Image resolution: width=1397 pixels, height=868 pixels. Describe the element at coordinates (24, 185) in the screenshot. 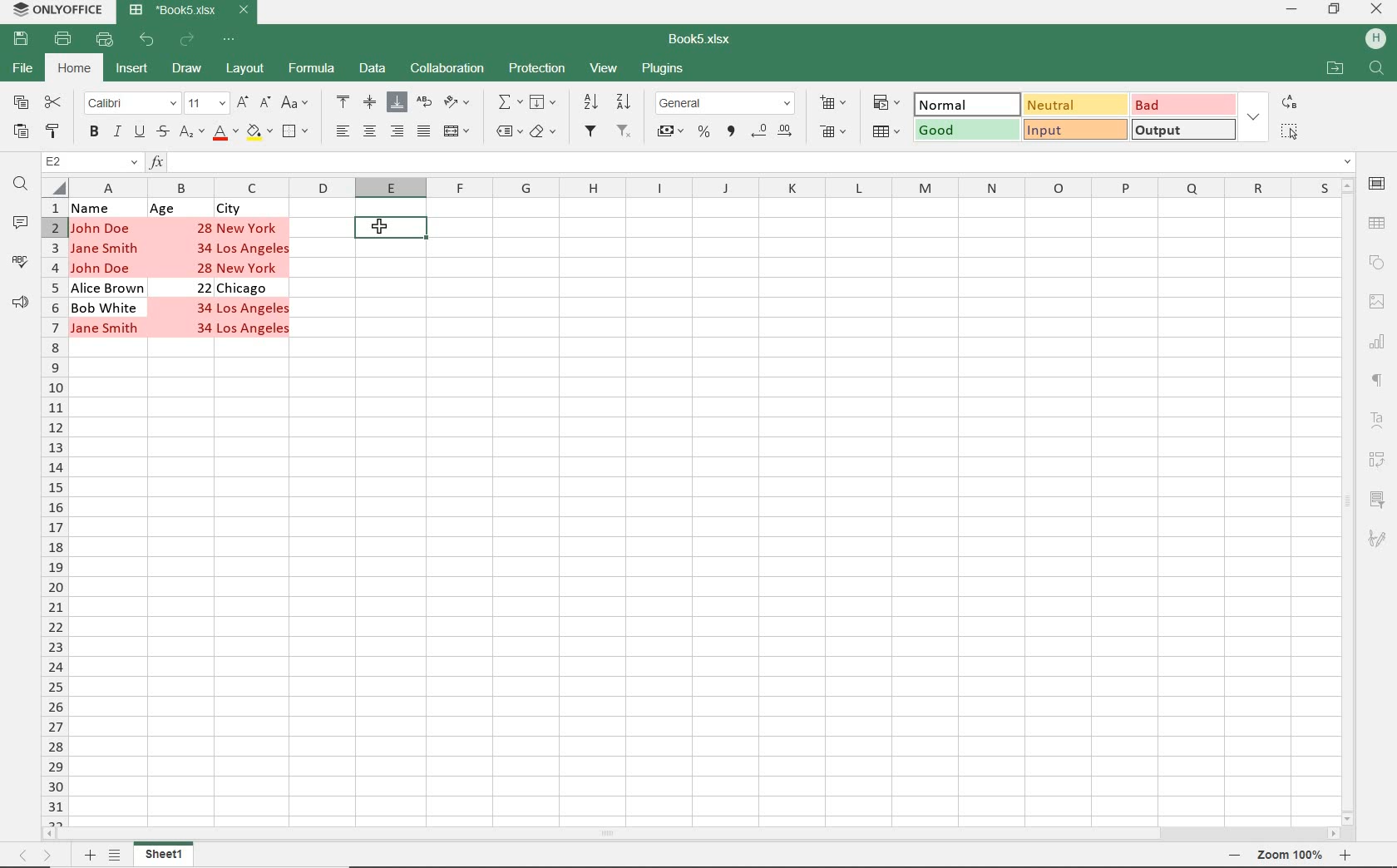

I see `FIND` at that location.